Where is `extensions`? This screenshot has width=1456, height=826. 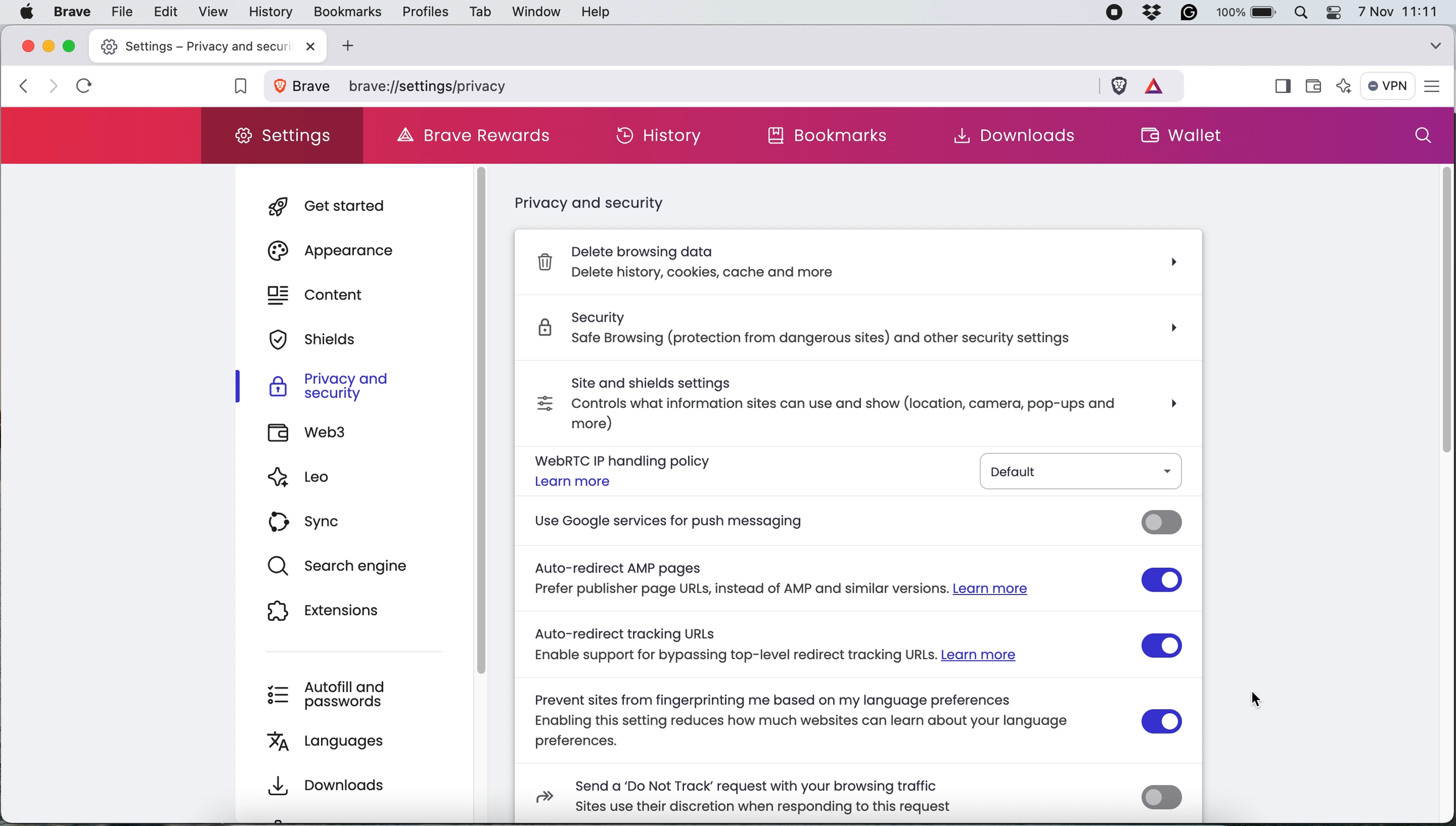
extensions is located at coordinates (335, 610).